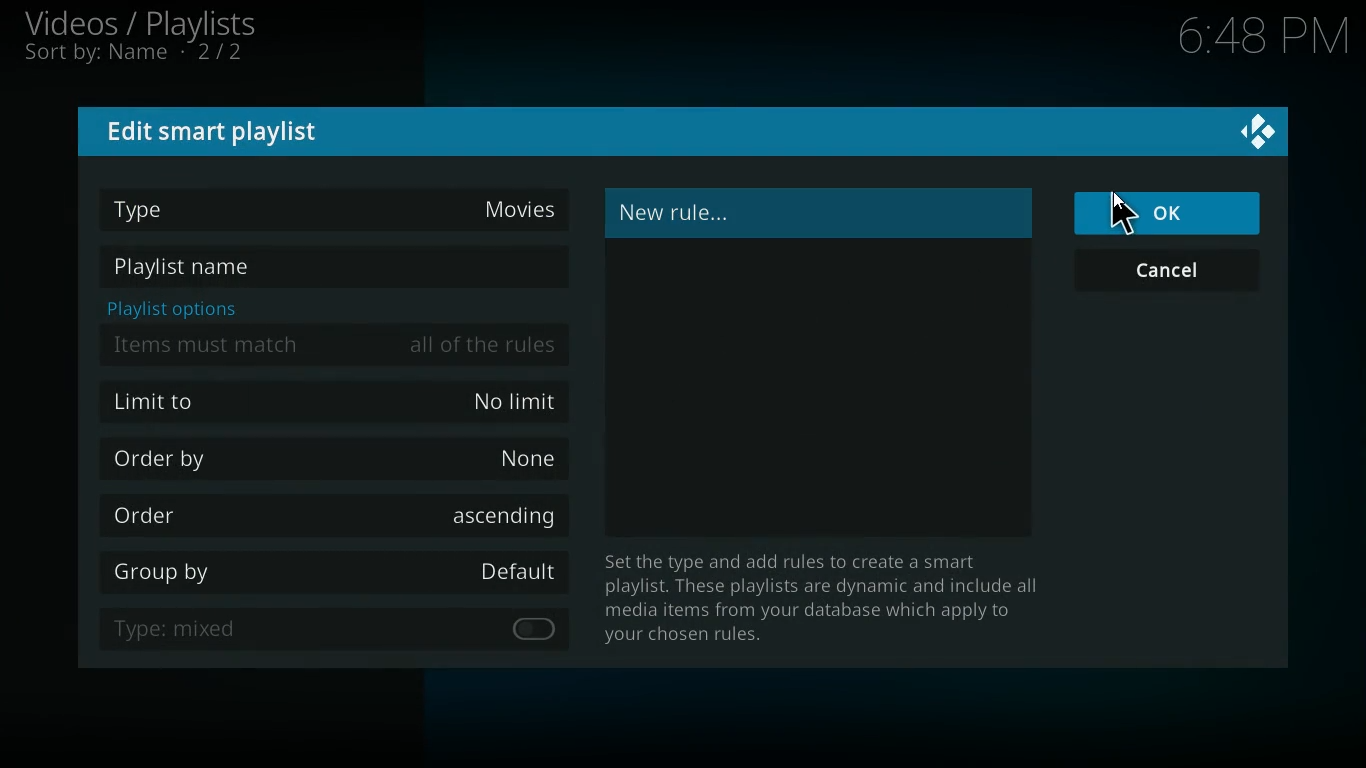 This screenshot has width=1366, height=768. Describe the element at coordinates (333, 269) in the screenshot. I see `name` at that location.